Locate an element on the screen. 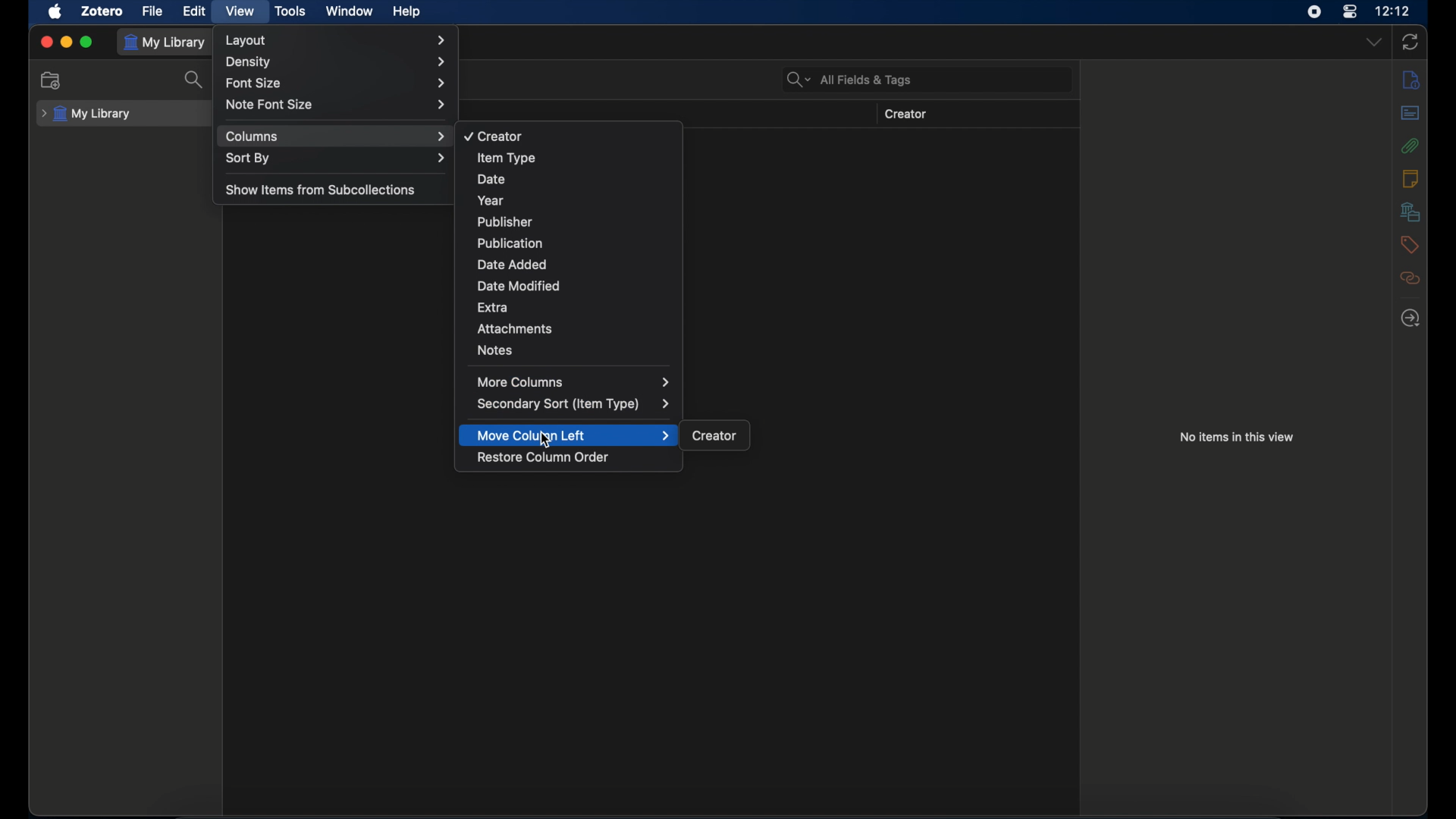  extra is located at coordinates (495, 306).